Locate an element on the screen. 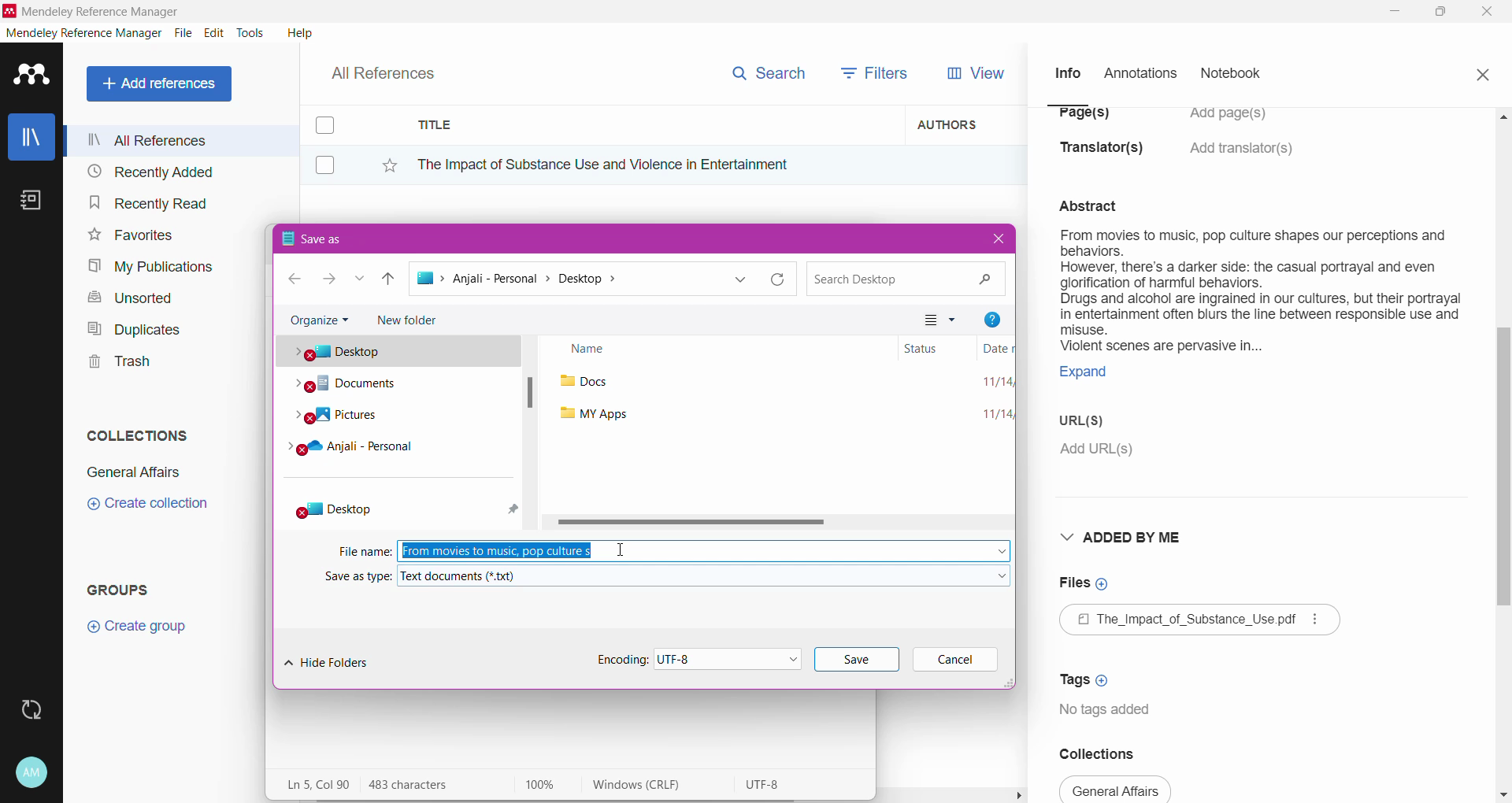 This screenshot has height=803, width=1512. Minimize is located at coordinates (1395, 12).